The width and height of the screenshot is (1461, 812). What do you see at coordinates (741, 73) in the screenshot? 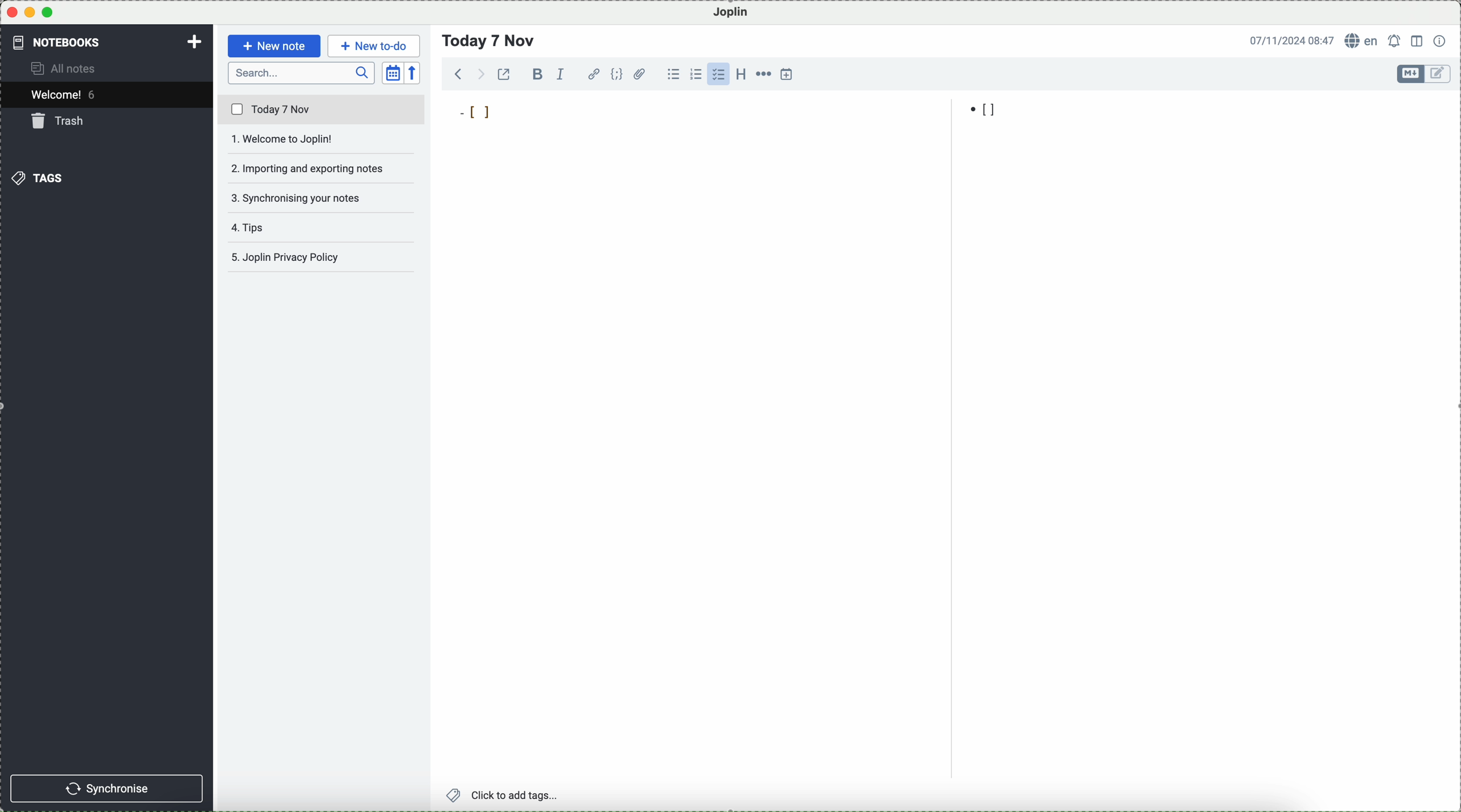
I see `heading` at bounding box center [741, 73].